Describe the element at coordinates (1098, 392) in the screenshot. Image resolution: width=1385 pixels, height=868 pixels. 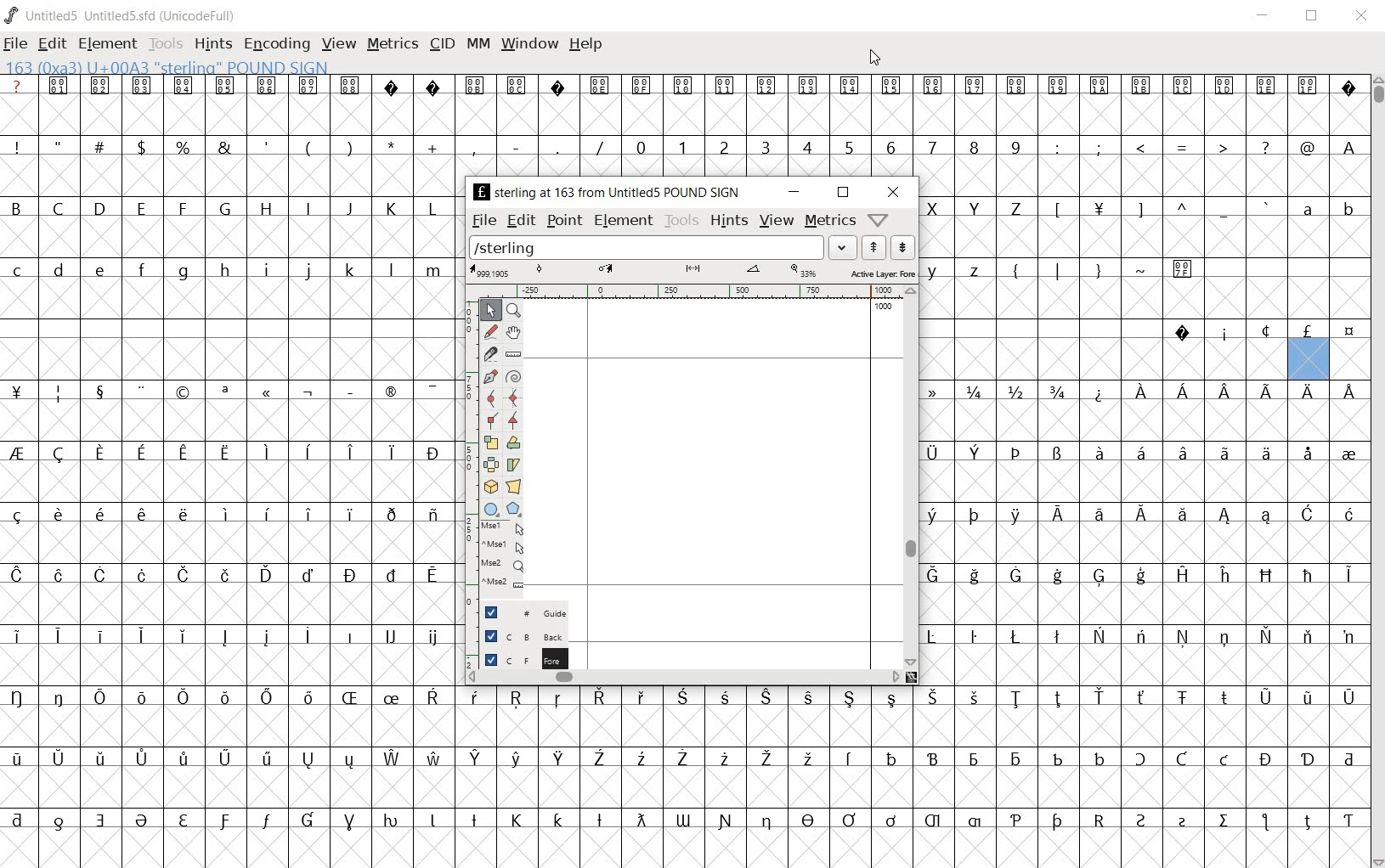
I see `Symbol` at that location.